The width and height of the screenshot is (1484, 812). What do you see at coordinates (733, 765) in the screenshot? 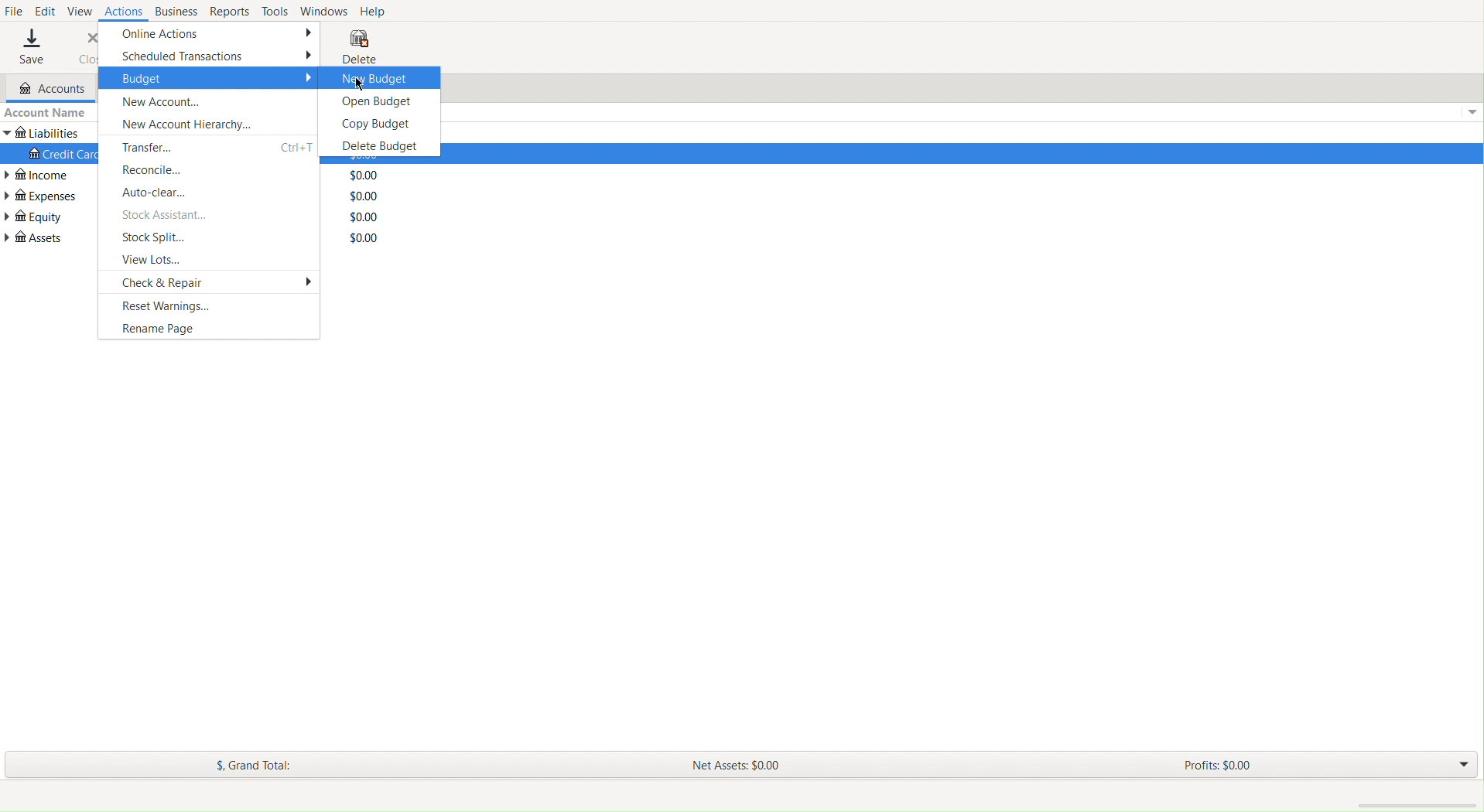
I see `Net Assets` at bounding box center [733, 765].